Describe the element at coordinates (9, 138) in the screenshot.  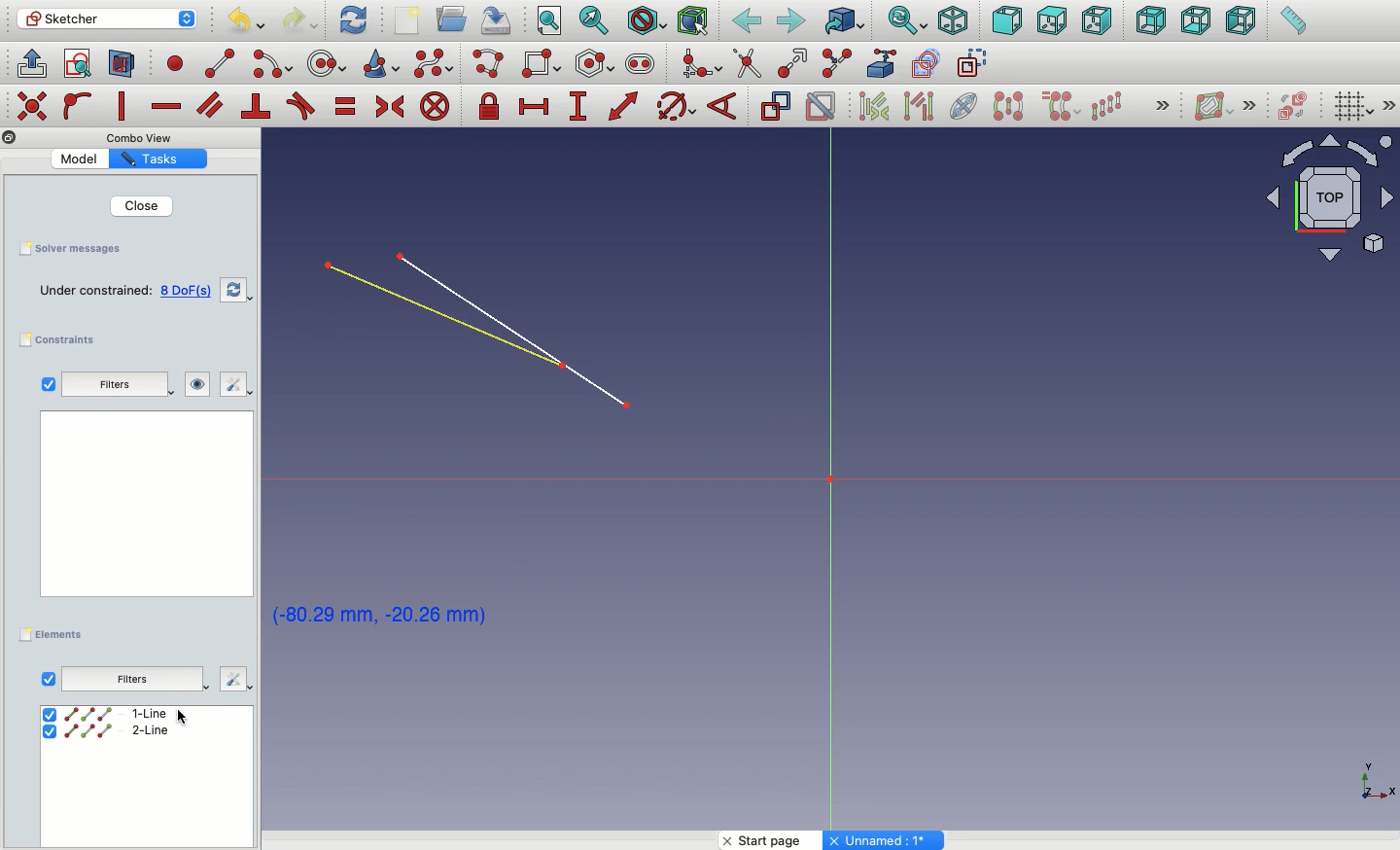
I see `` at that location.